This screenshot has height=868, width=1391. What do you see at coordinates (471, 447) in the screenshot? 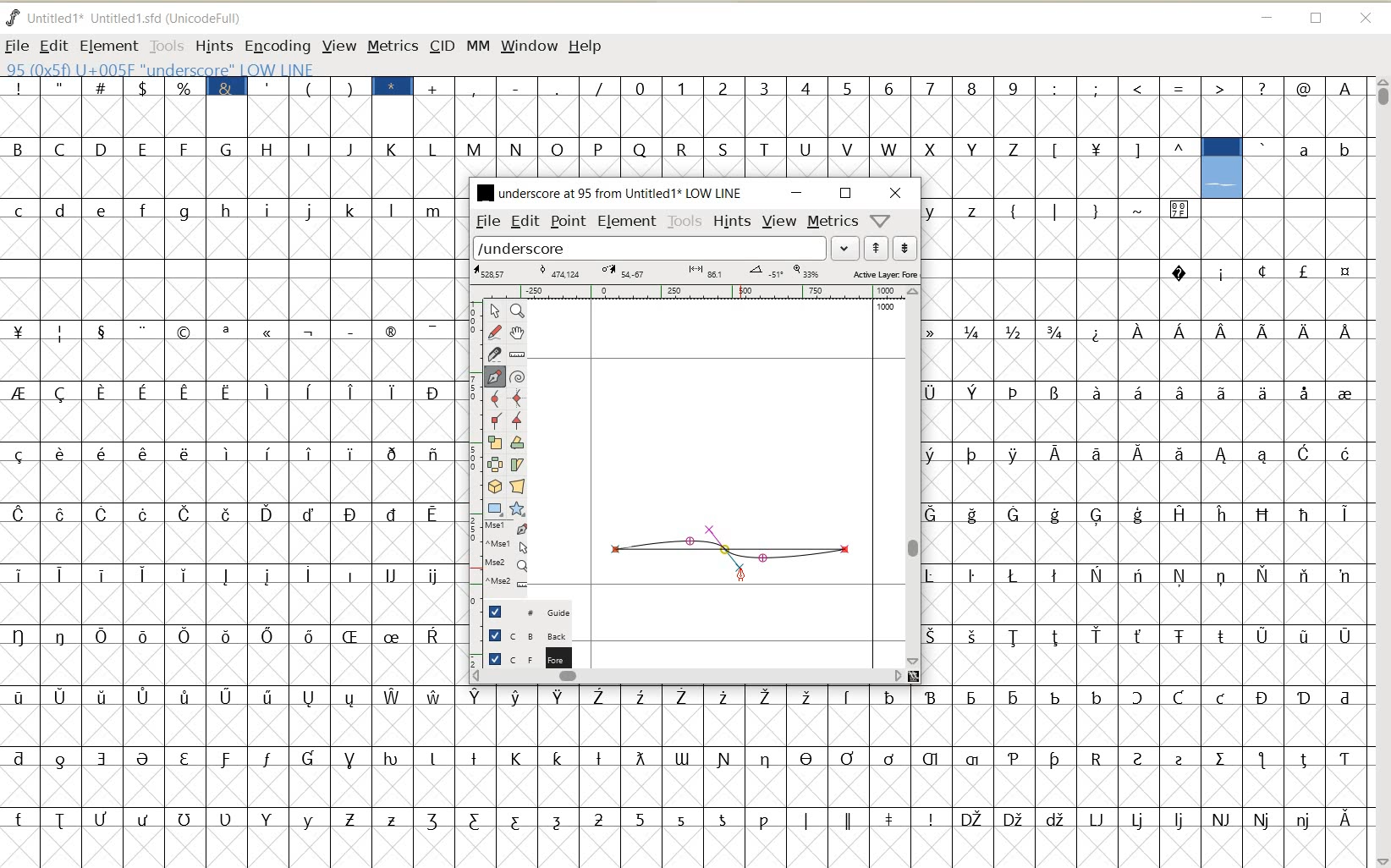
I see `SCALE` at bounding box center [471, 447].